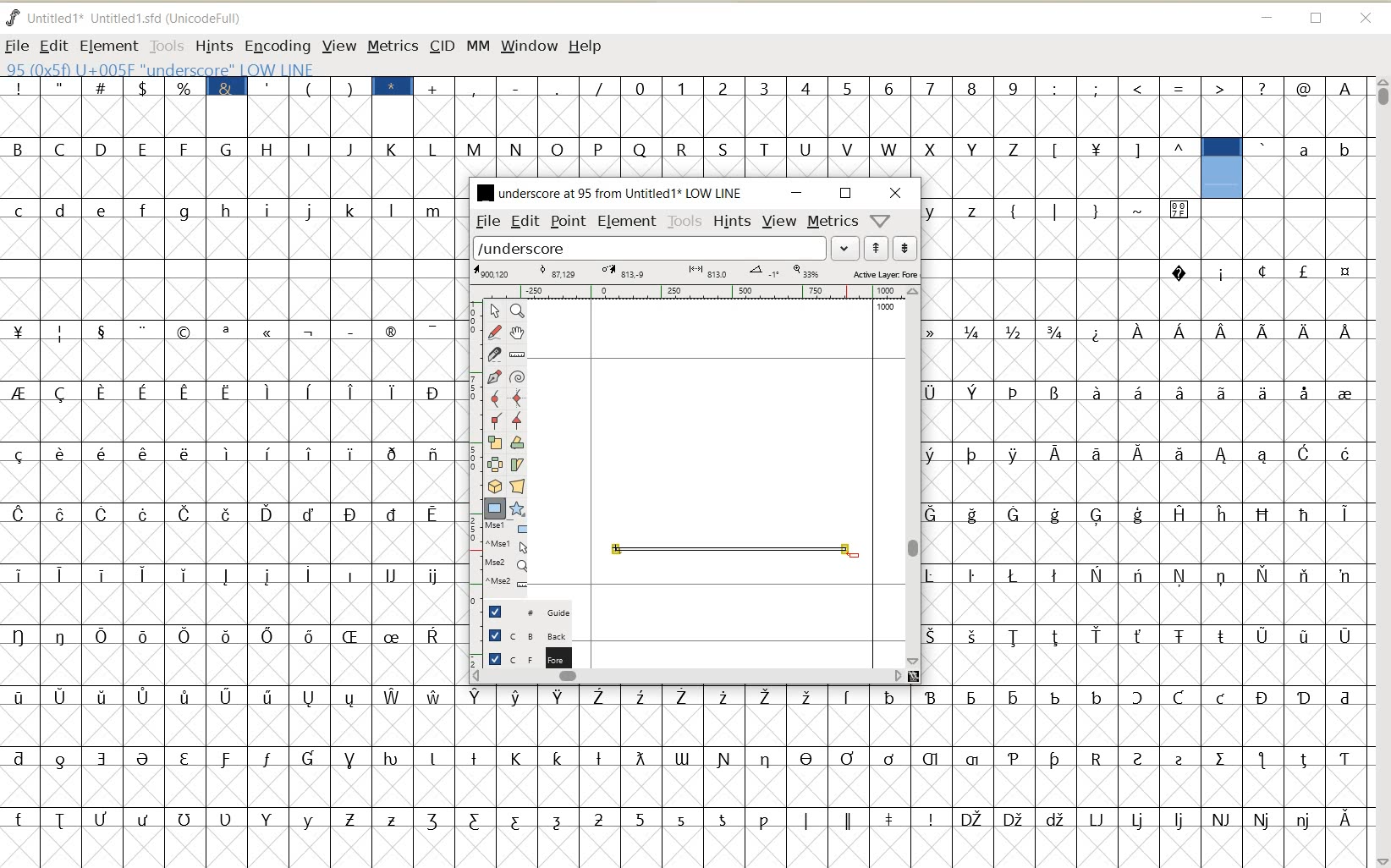 This screenshot has width=1391, height=868. I want to click on ACTIVE LAYR, so click(695, 272).